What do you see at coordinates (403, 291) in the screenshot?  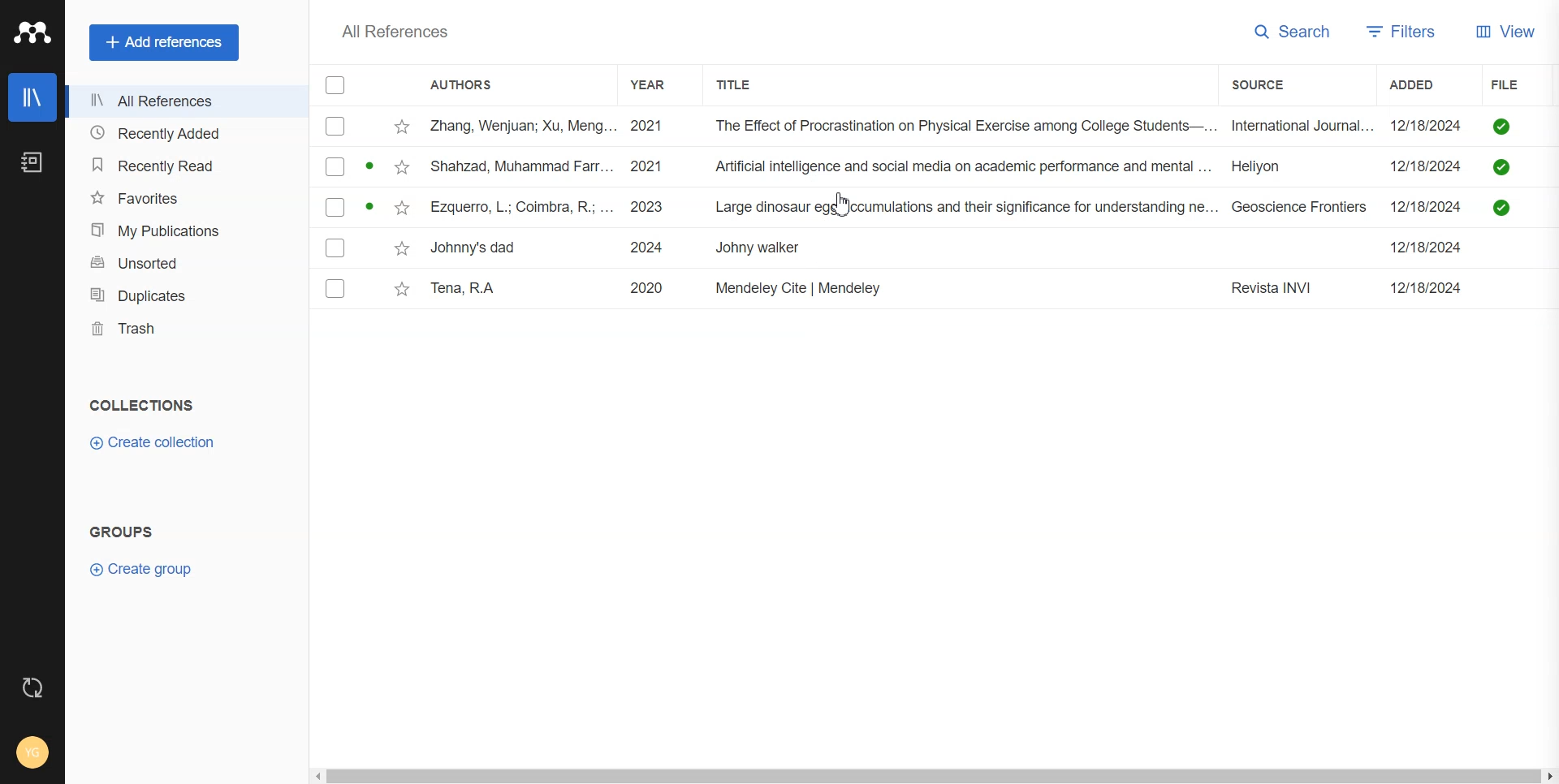 I see `star` at bounding box center [403, 291].